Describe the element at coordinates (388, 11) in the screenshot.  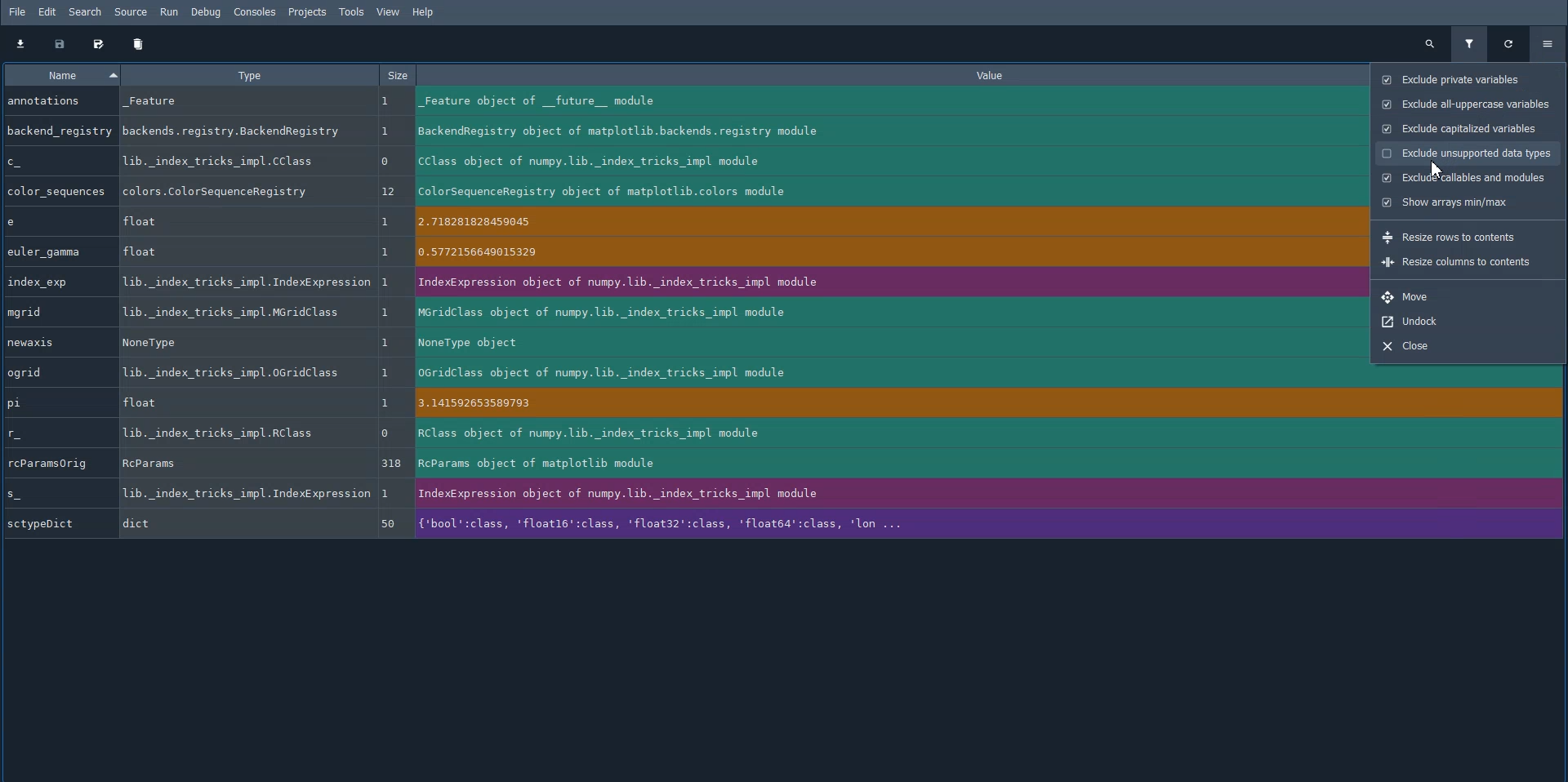
I see `View` at that location.